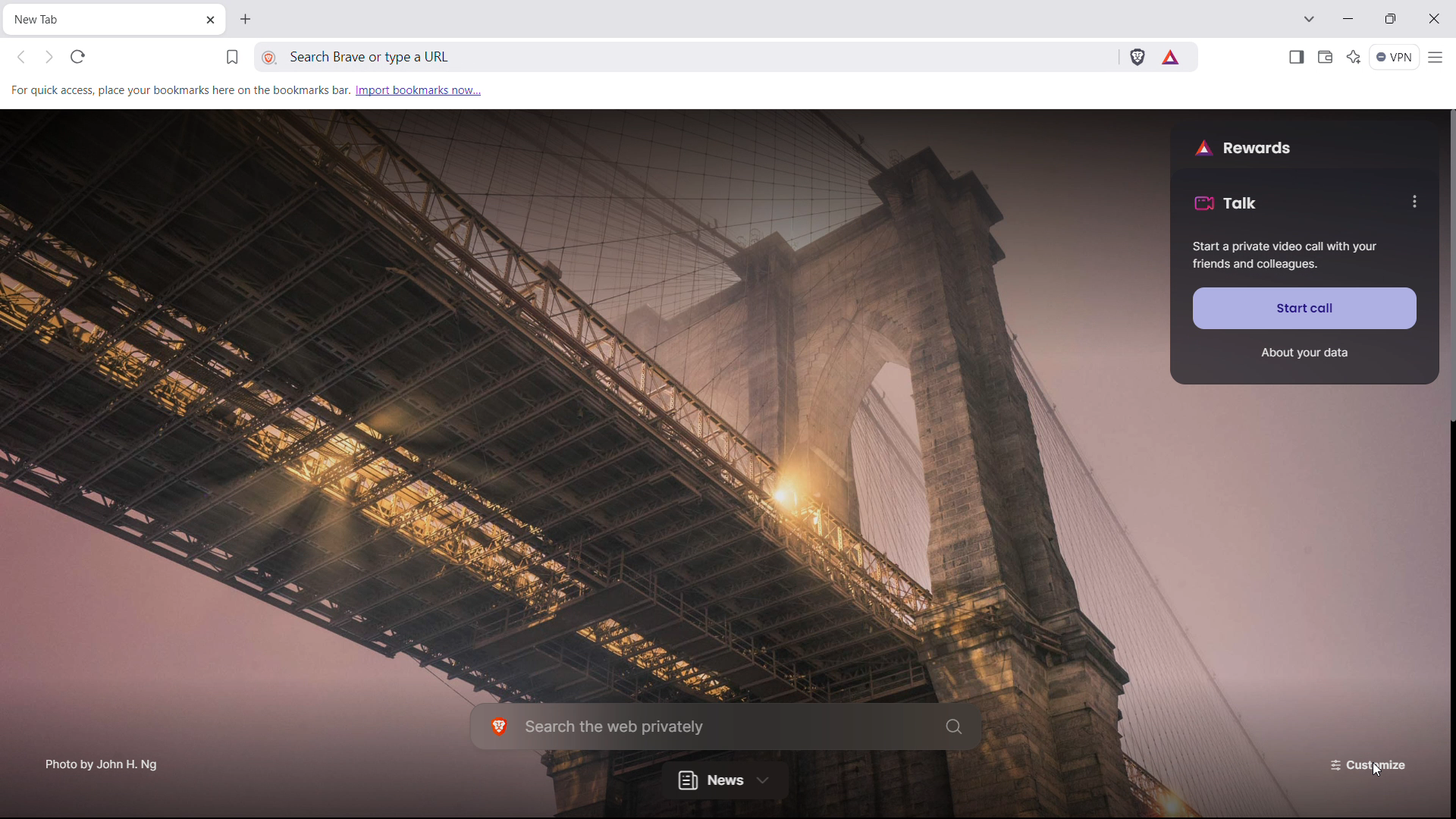  Describe the element at coordinates (1324, 58) in the screenshot. I see `wallet` at that location.